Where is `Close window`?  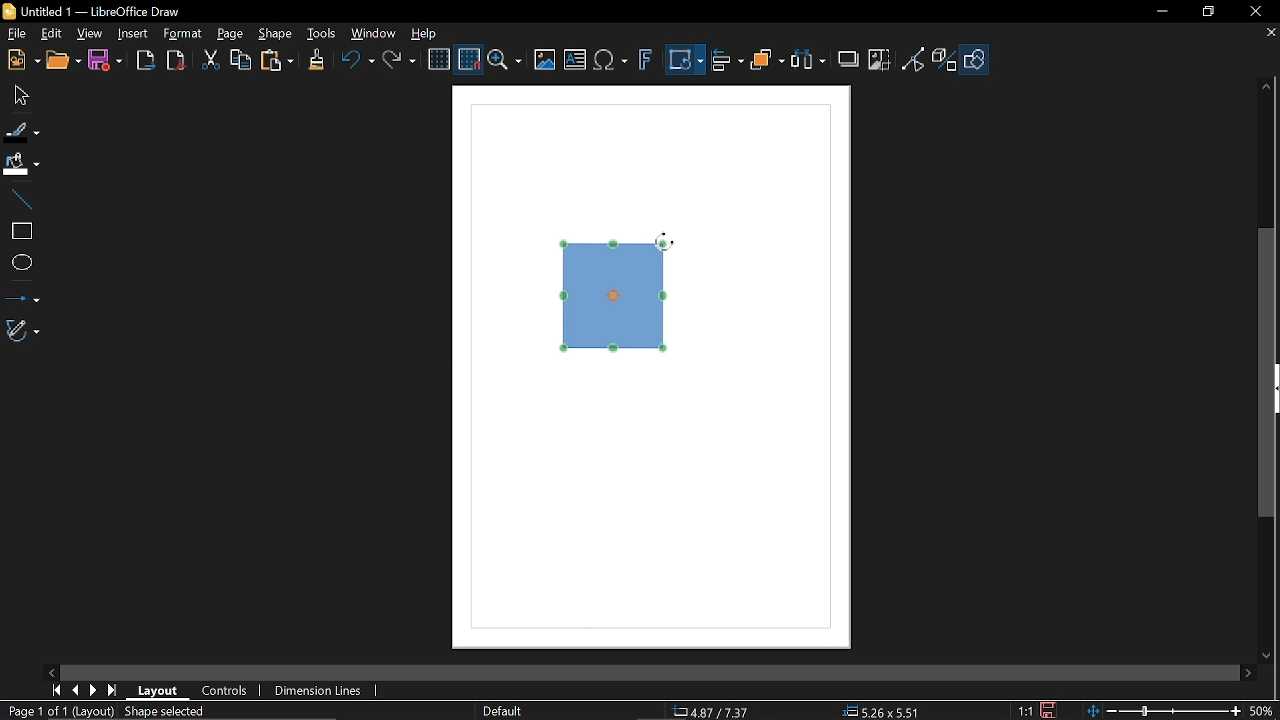 Close window is located at coordinates (1255, 12).